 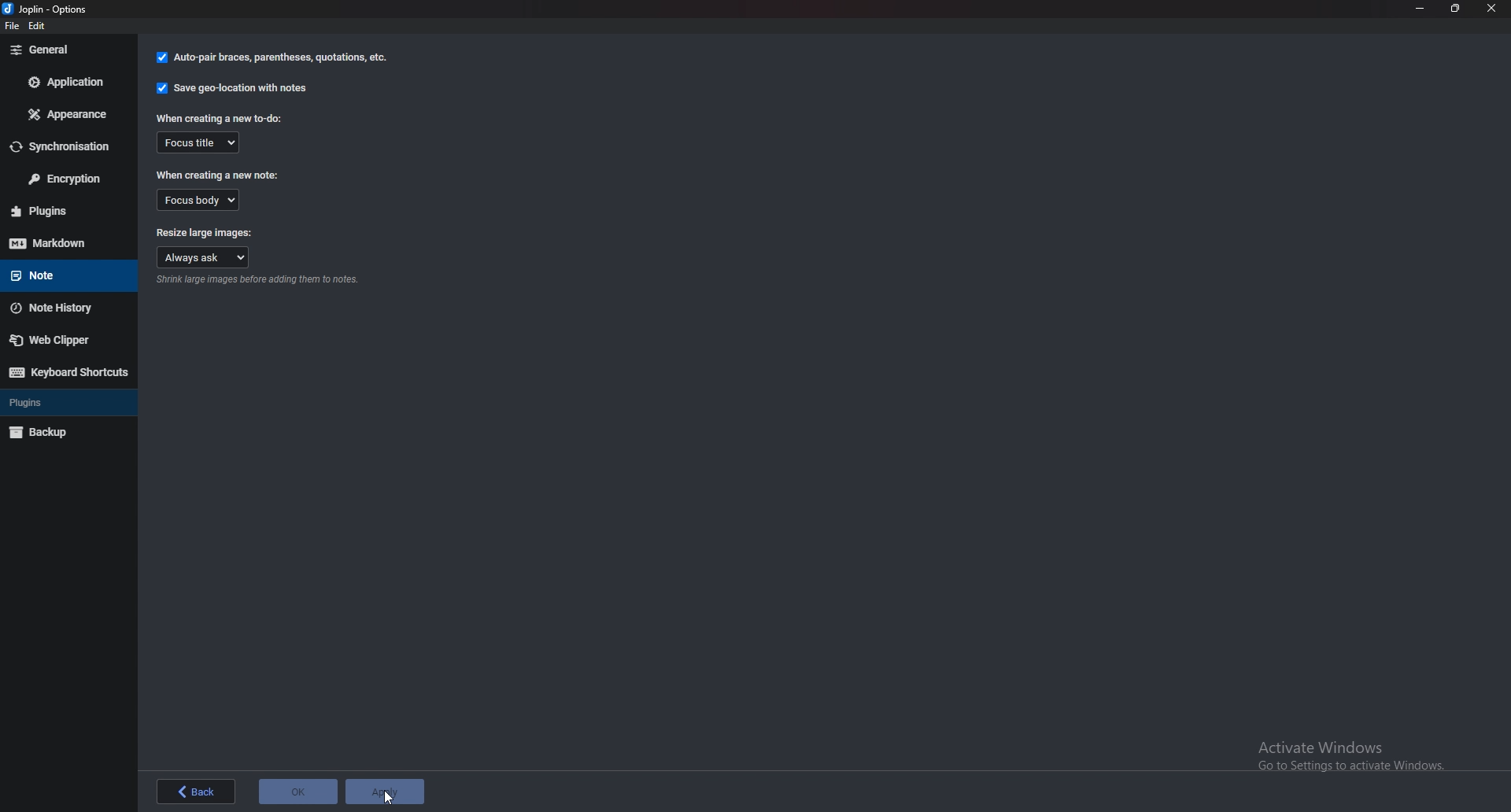 What do you see at coordinates (13, 28) in the screenshot?
I see `file` at bounding box center [13, 28].